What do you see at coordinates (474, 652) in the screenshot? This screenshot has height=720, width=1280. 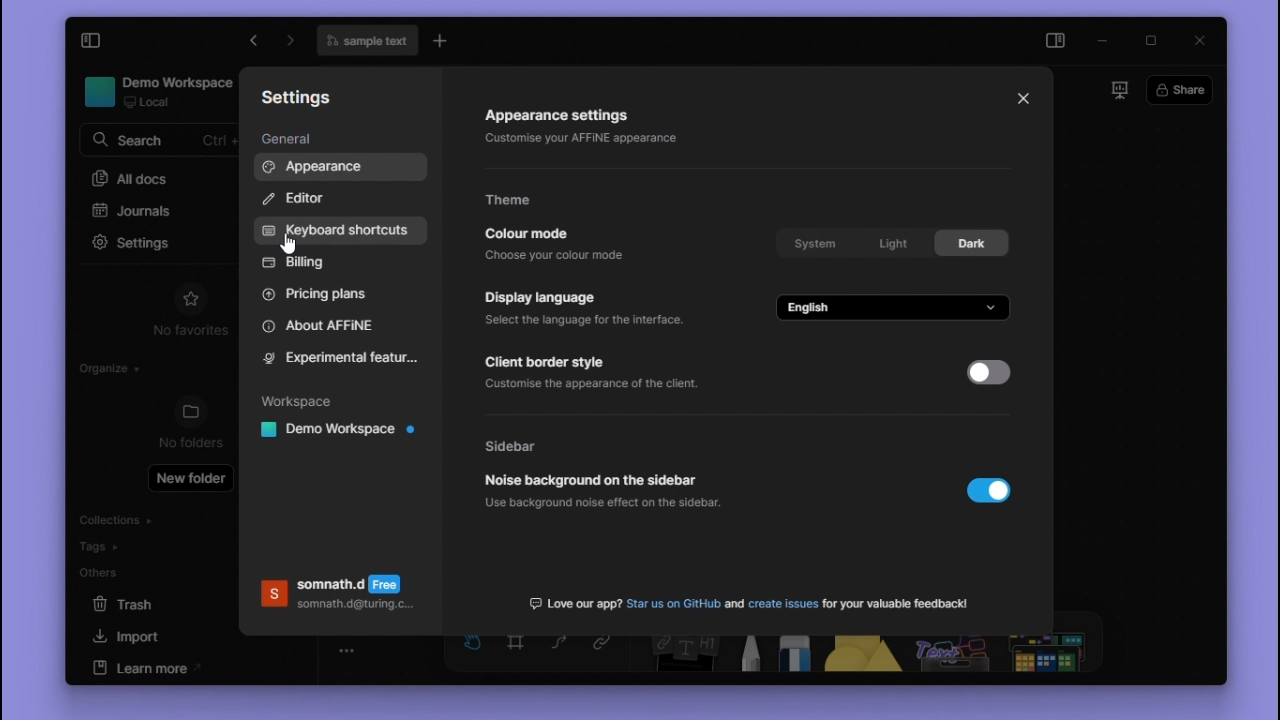 I see `hand` at bounding box center [474, 652].